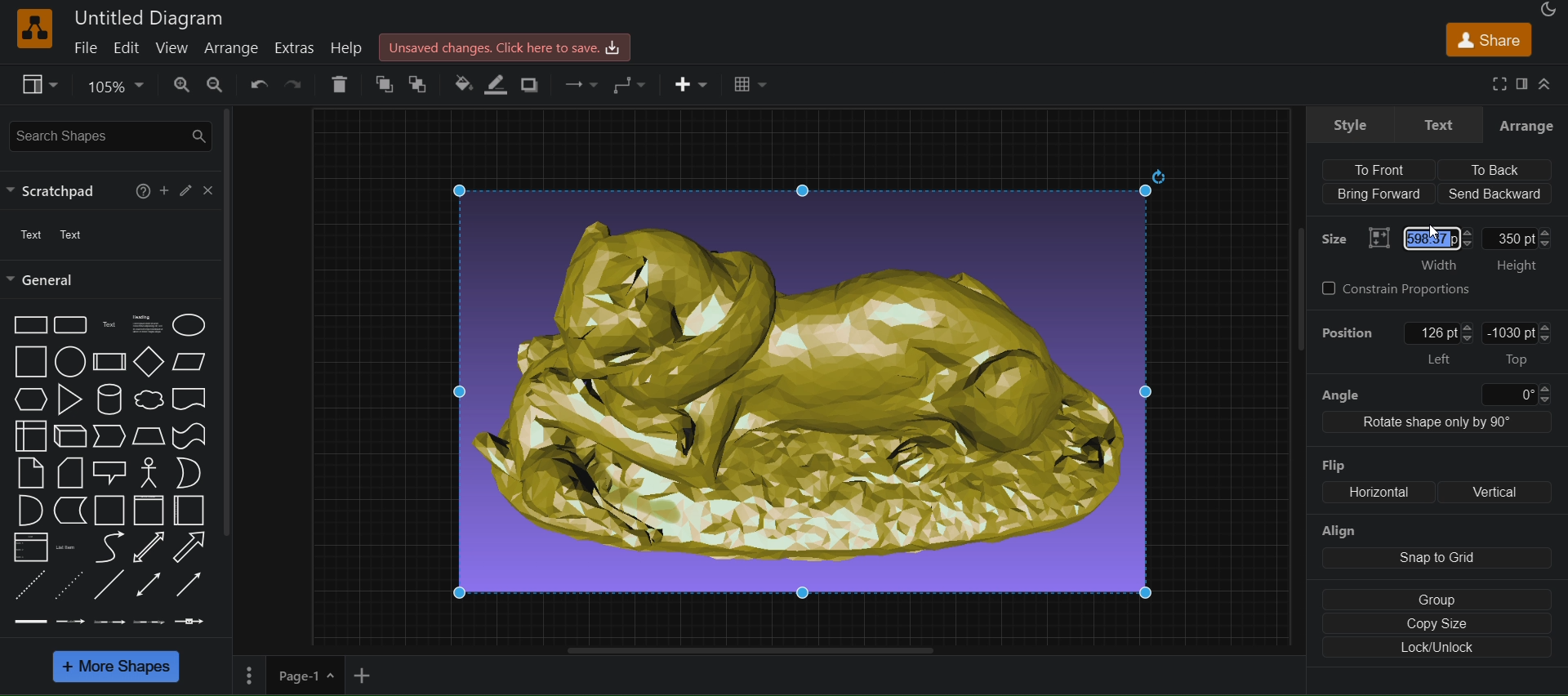 Image resolution: width=1568 pixels, height=696 pixels. What do you see at coordinates (1521, 82) in the screenshot?
I see `format` at bounding box center [1521, 82].